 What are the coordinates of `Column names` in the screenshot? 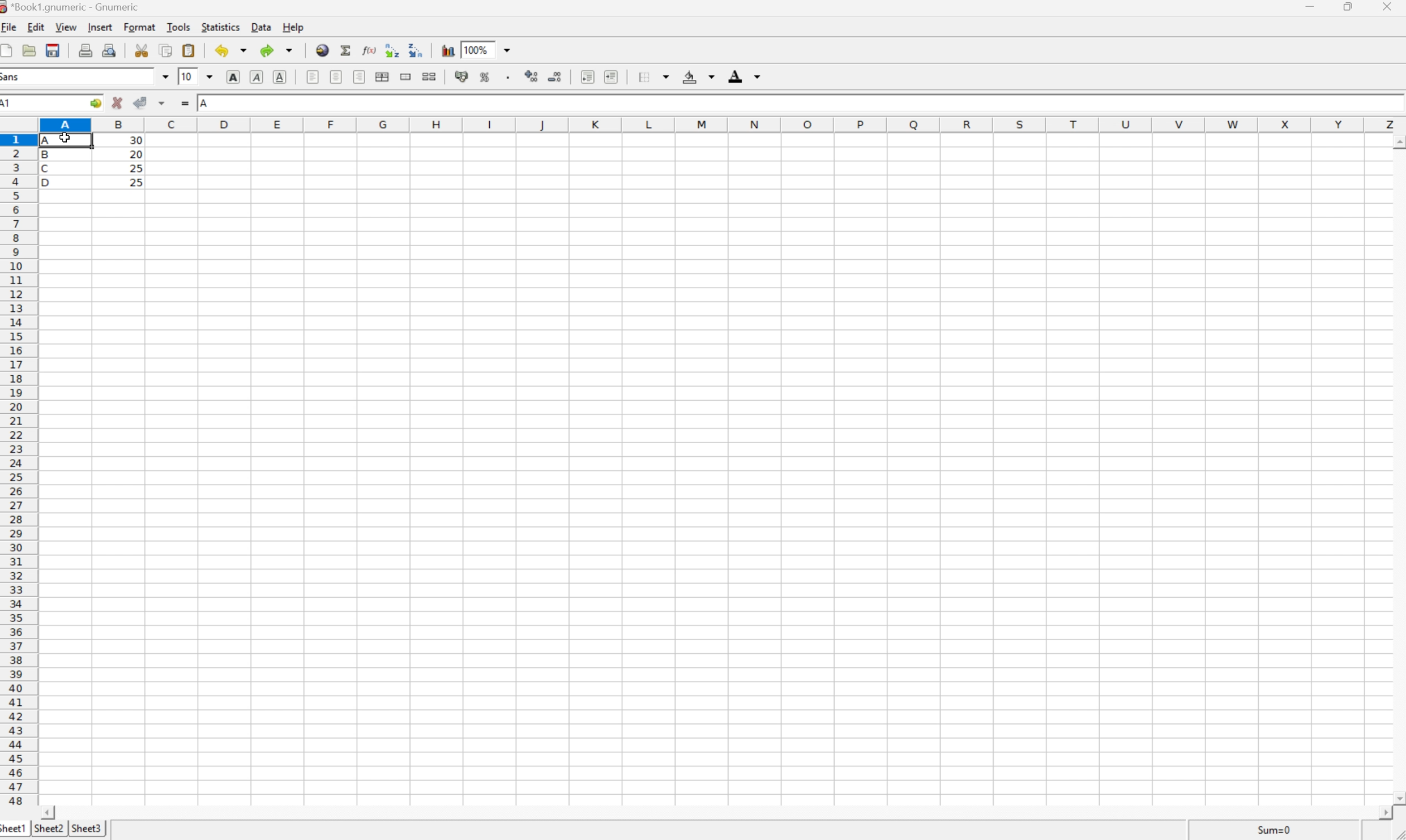 It's located at (721, 123).